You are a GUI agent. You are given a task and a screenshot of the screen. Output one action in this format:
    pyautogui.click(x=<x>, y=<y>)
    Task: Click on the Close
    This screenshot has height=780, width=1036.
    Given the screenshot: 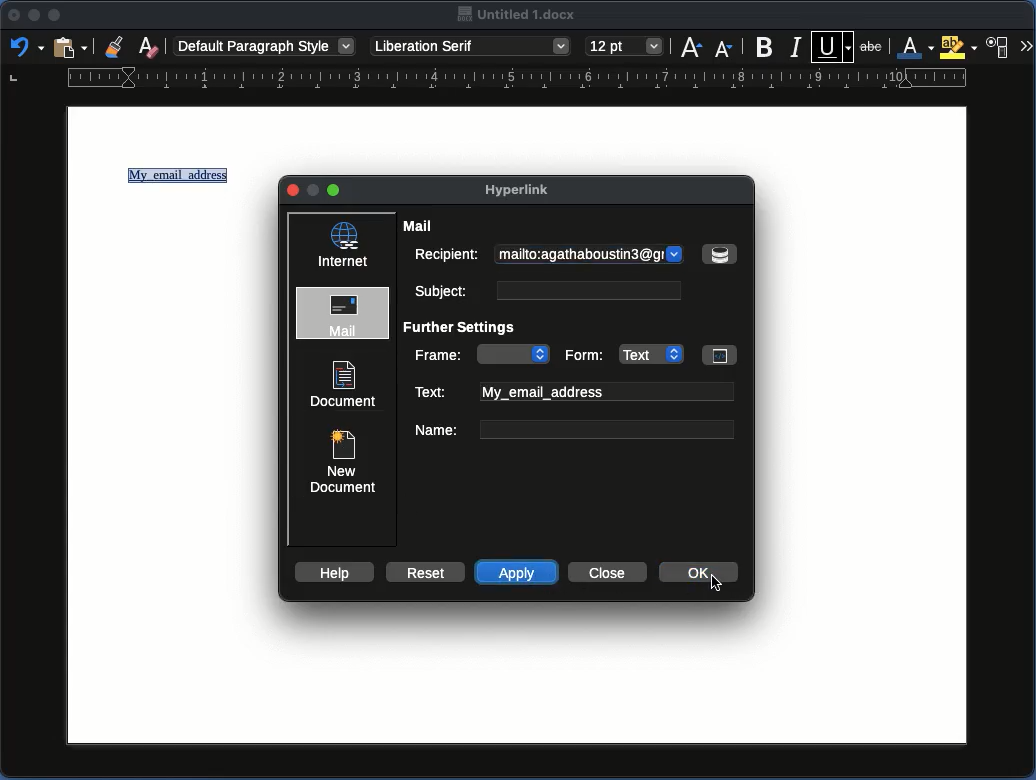 What is the action you would take?
    pyautogui.click(x=294, y=191)
    